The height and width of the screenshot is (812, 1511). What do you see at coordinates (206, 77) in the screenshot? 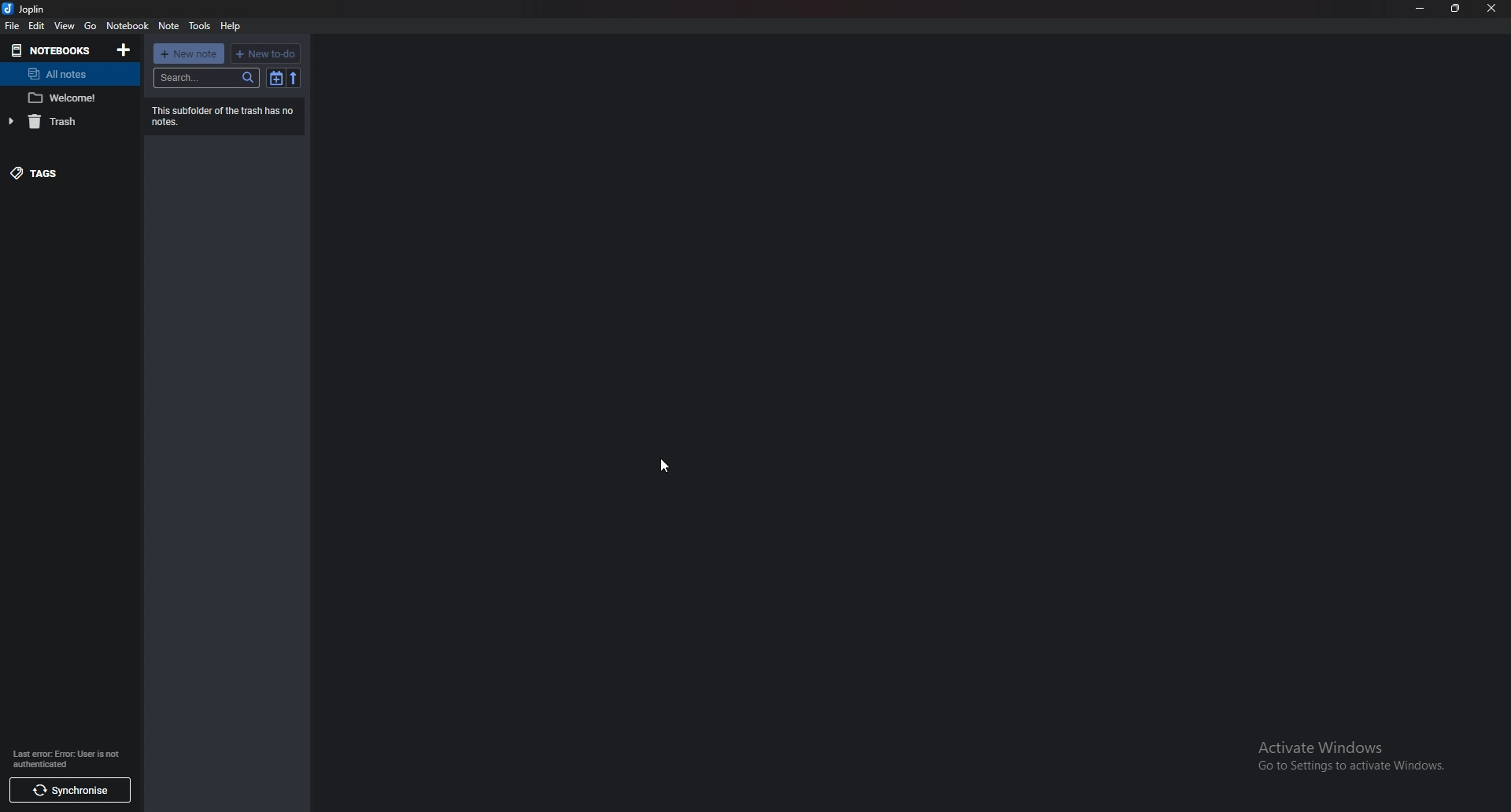
I see `search` at bounding box center [206, 77].